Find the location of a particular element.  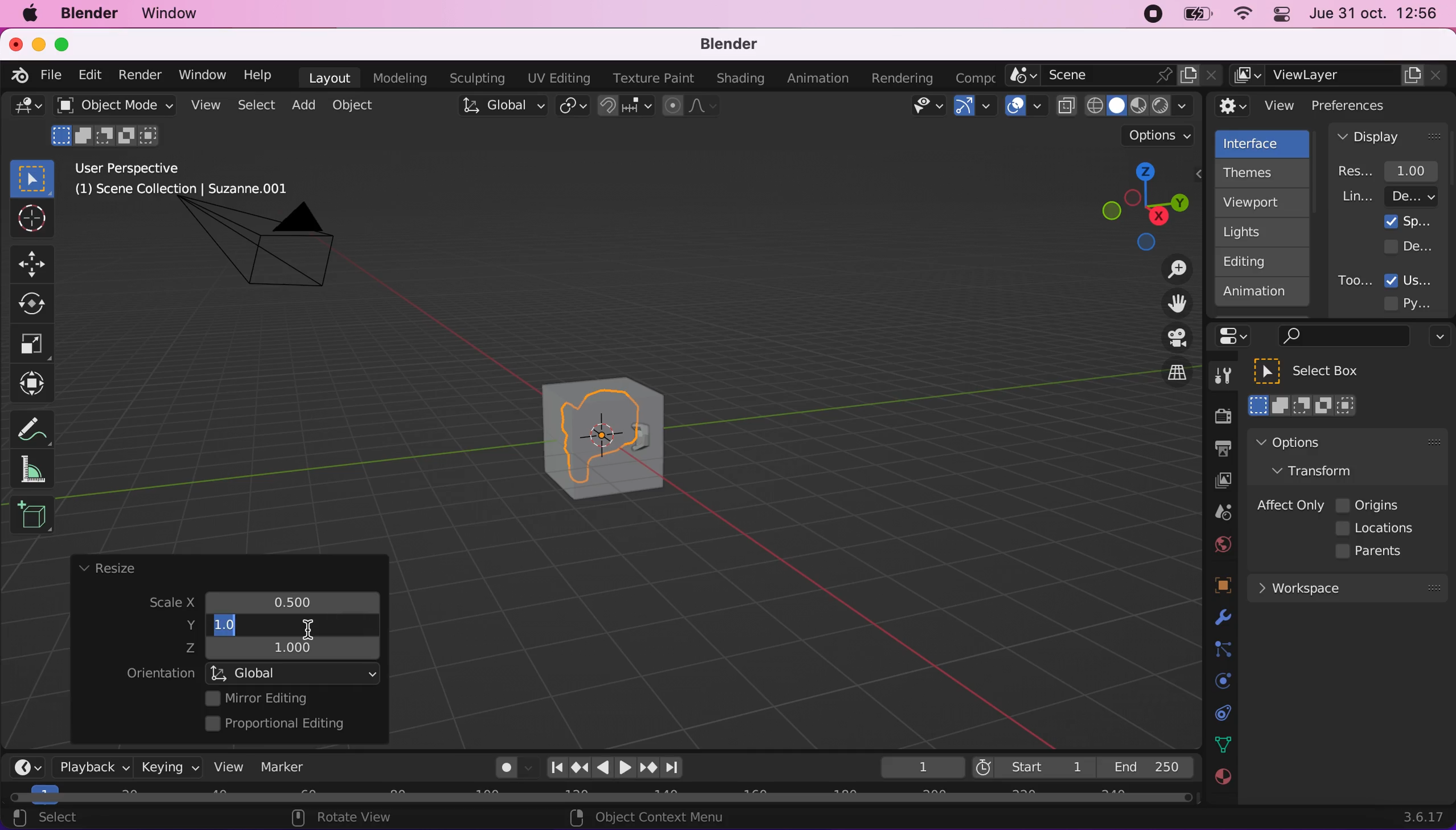

interface is located at coordinates (1264, 142).